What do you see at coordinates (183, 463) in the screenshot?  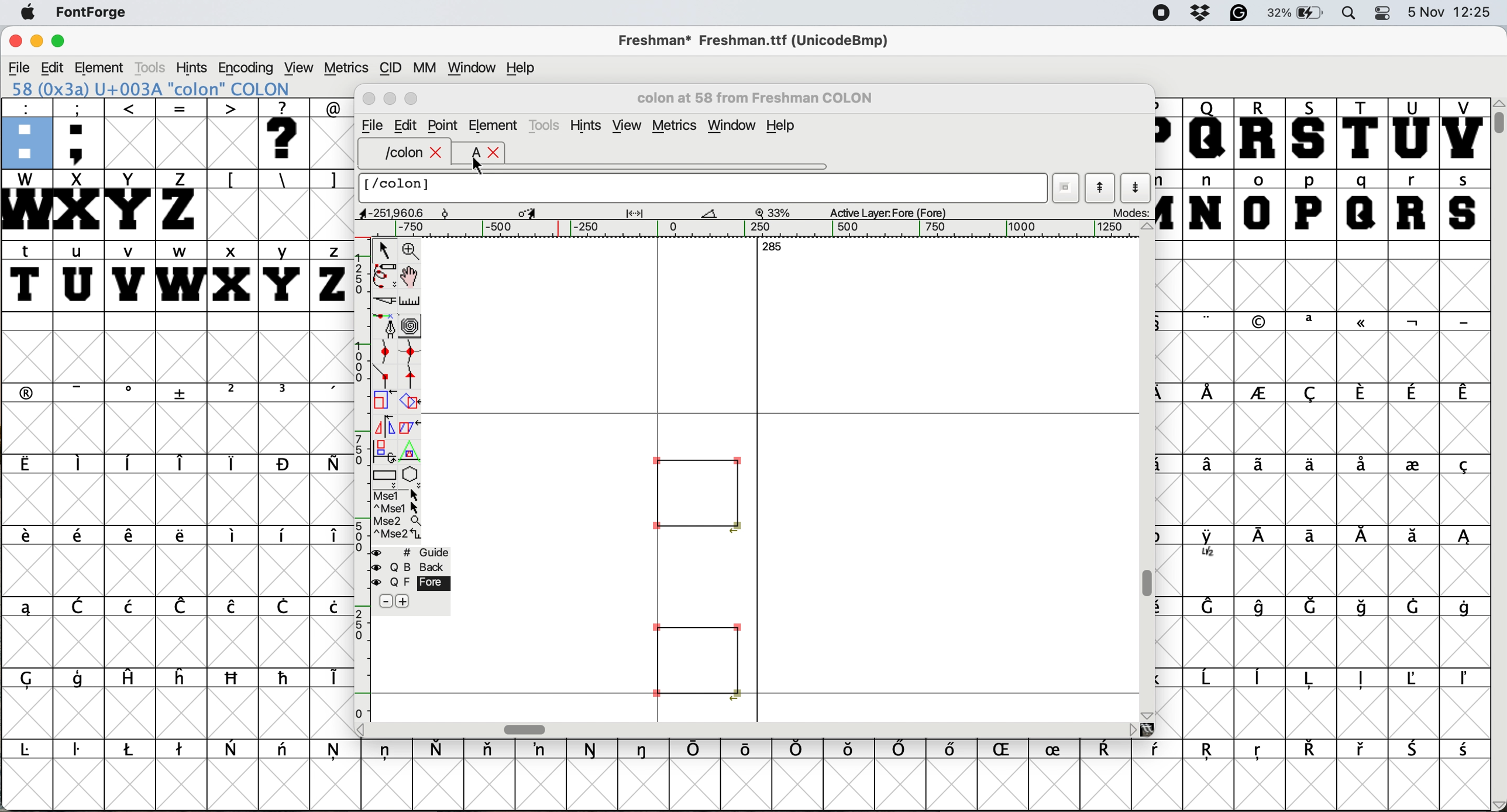 I see `symbol` at bounding box center [183, 463].